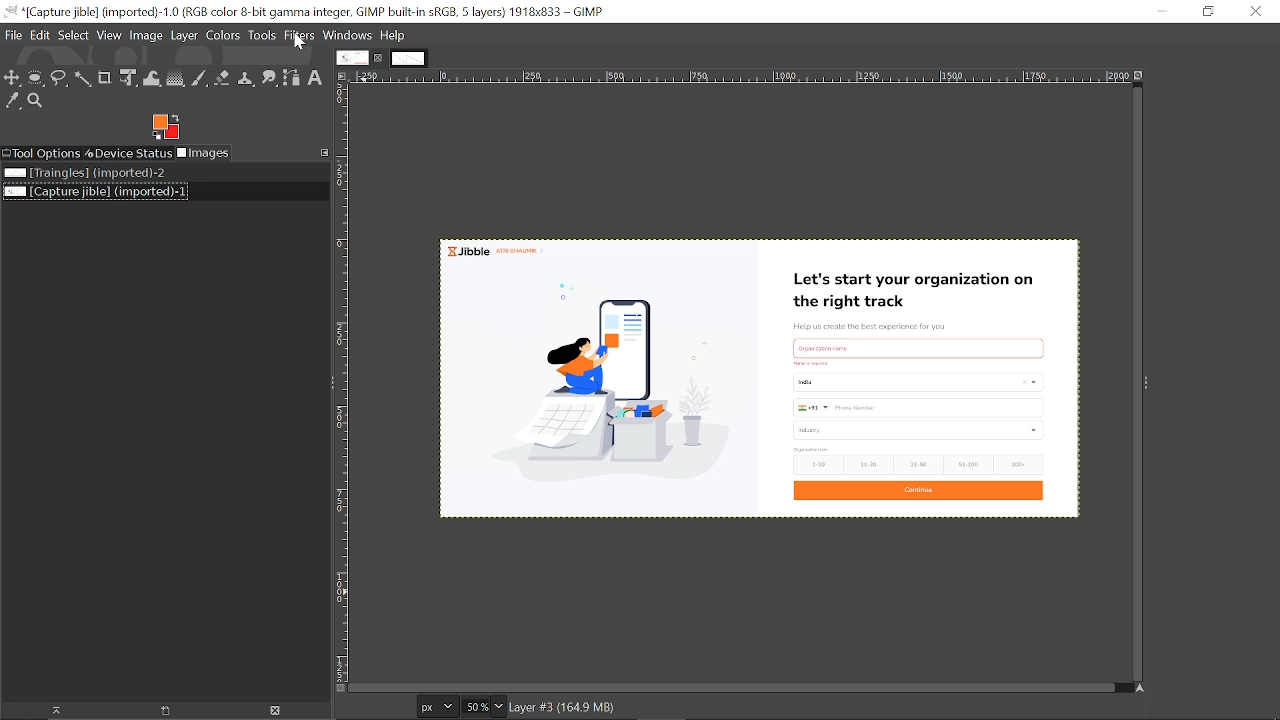 Image resolution: width=1280 pixels, height=720 pixels. What do you see at coordinates (205, 153) in the screenshot?
I see `Images` at bounding box center [205, 153].